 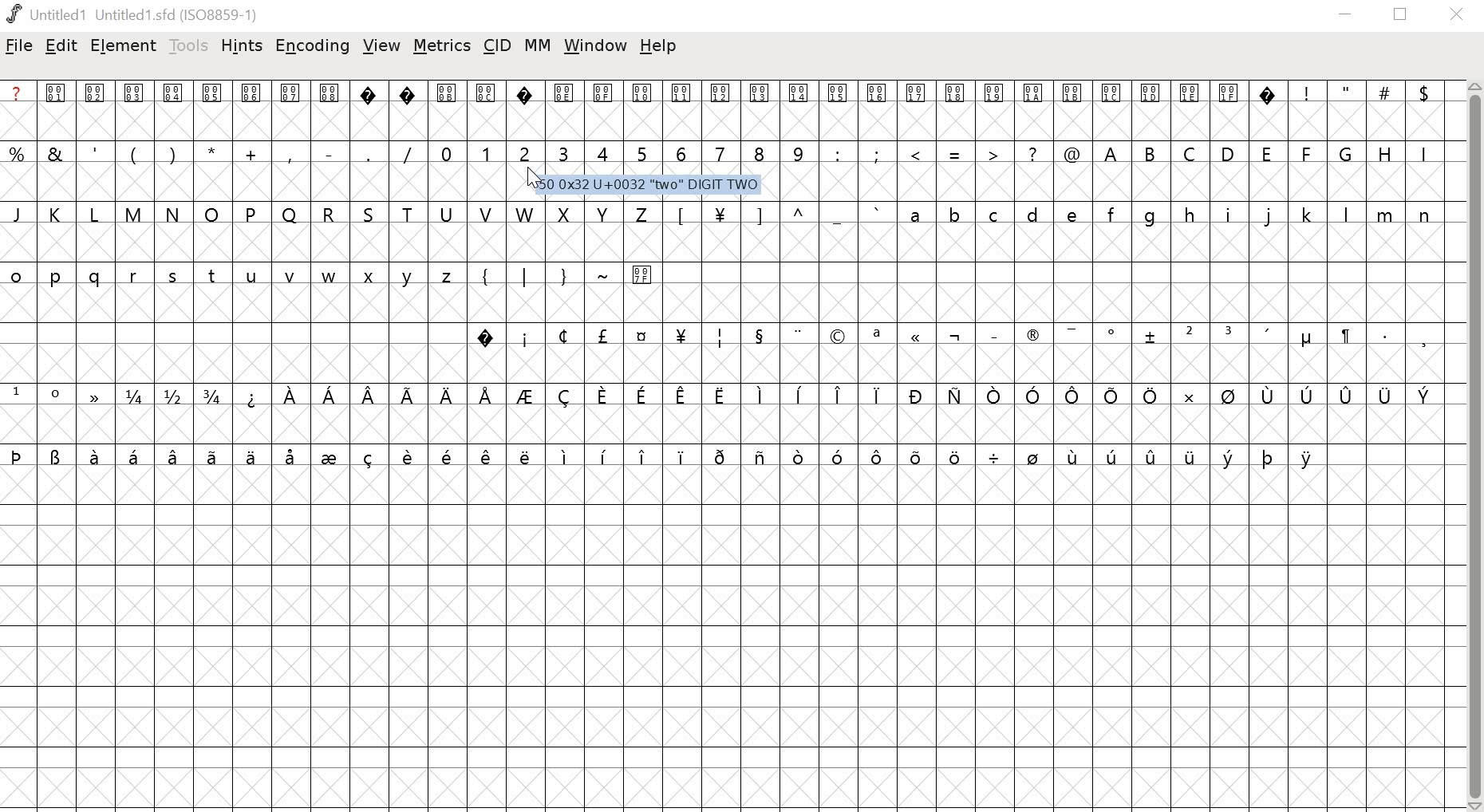 What do you see at coordinates (730, 440) in the screenshot?
I see `glyphs/fonts and black canvas` at bounding box center [730, 440].